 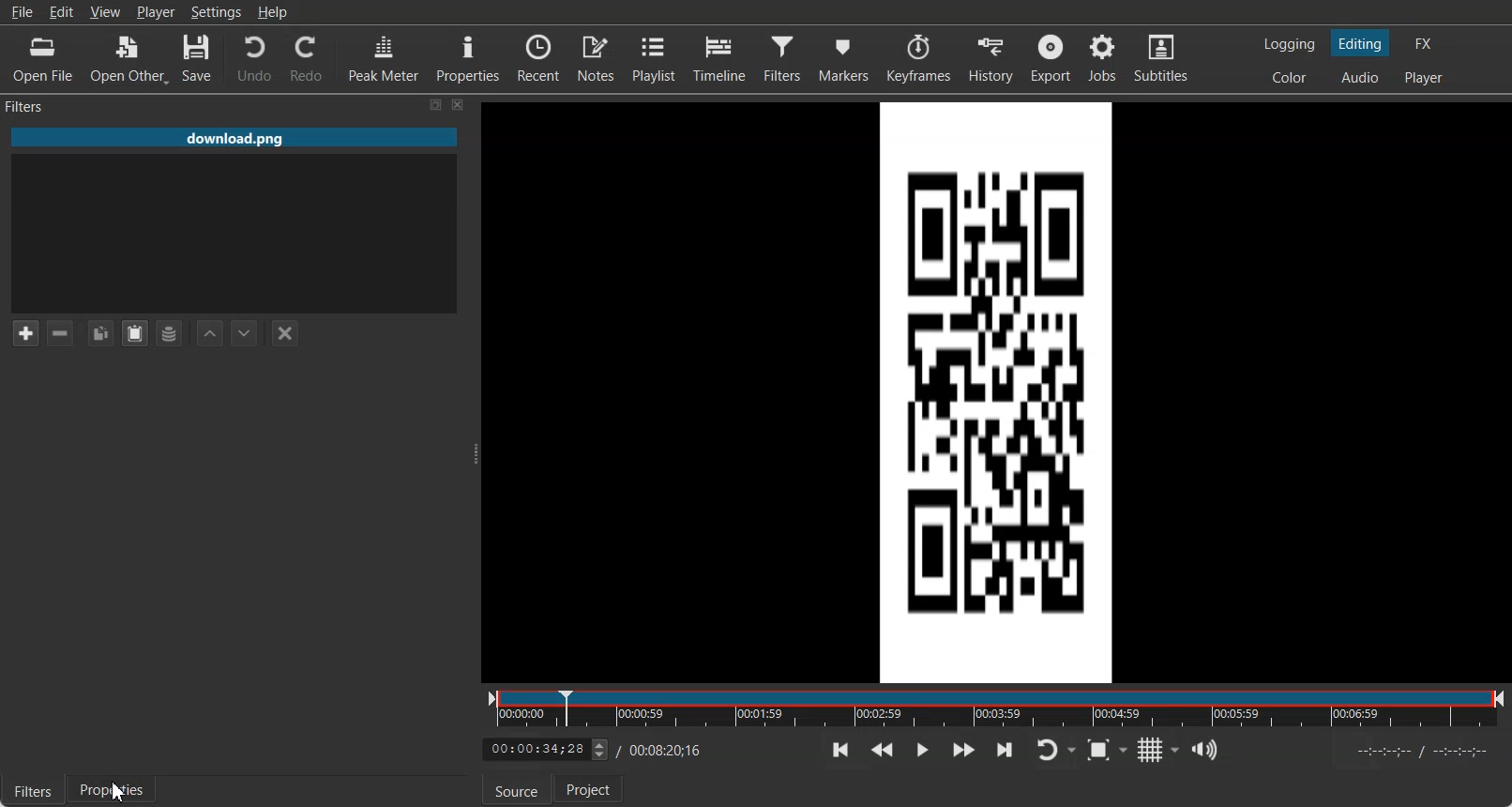 What do you see at coordinates (99, 333) in the screenshot?
I see `Copy Filter` at bounding box center [99, 333].